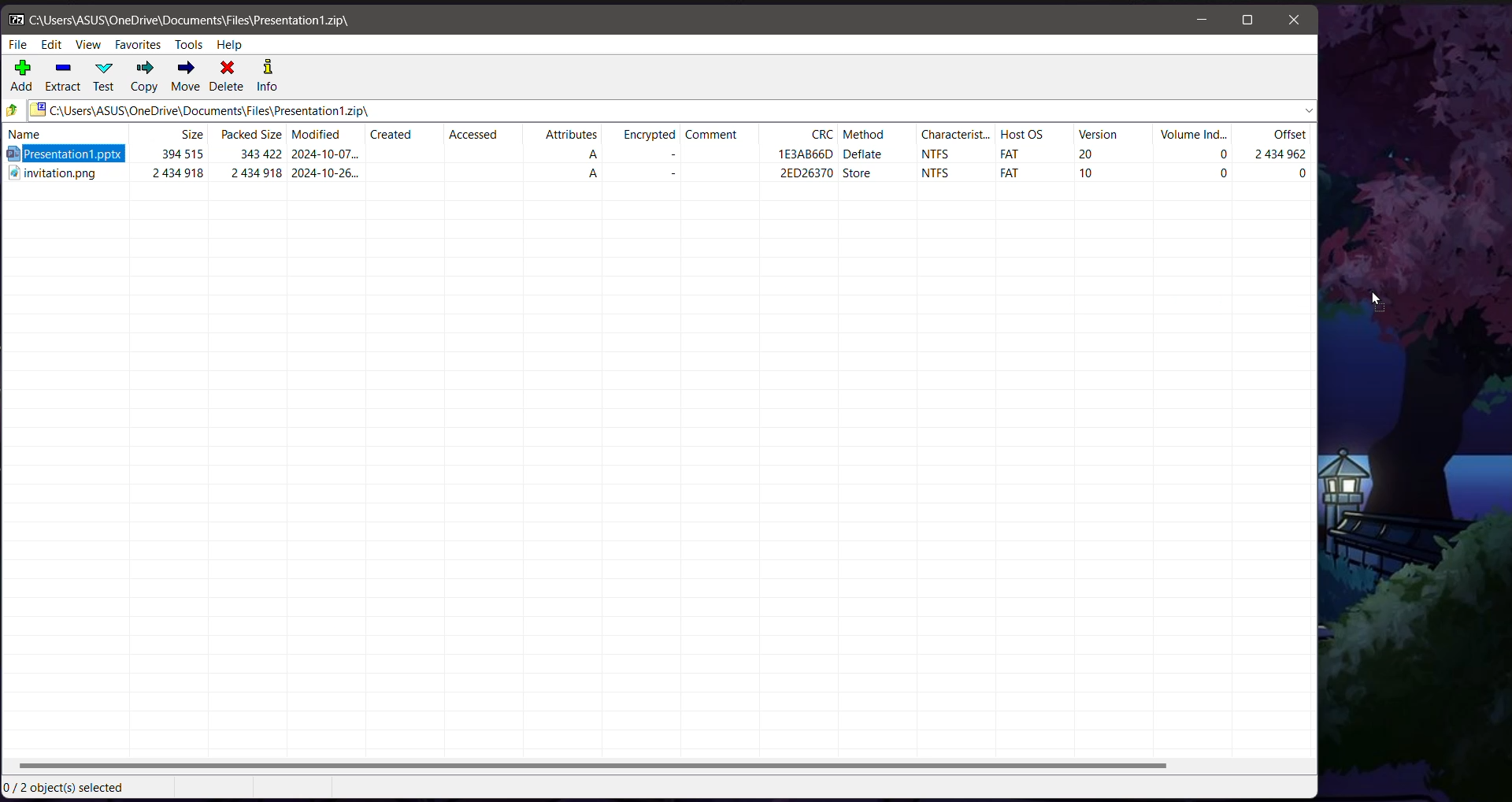 The width and height of the screenshot is (1512, 802). Describe the element at coordinates (673, 111) in the screenshot. I see `Current Folder Path` at that location.